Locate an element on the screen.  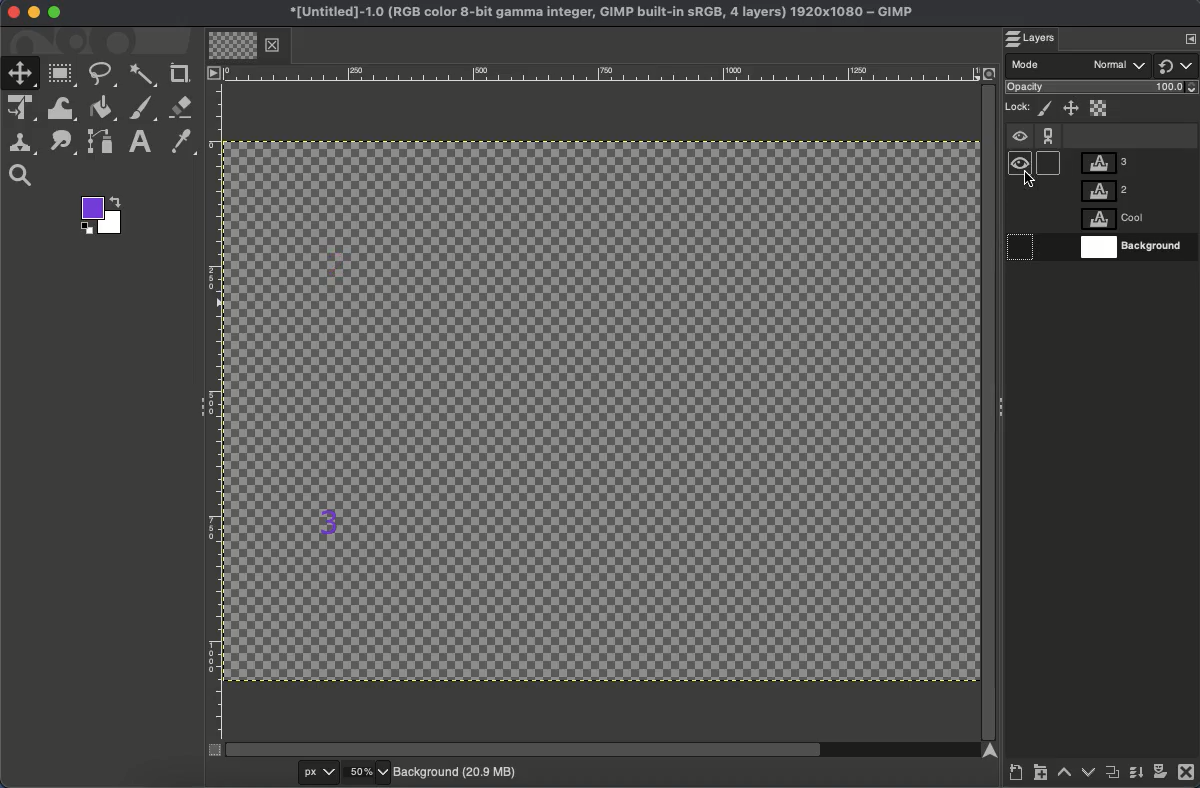
Eraser is located at coordinates (182, 107).